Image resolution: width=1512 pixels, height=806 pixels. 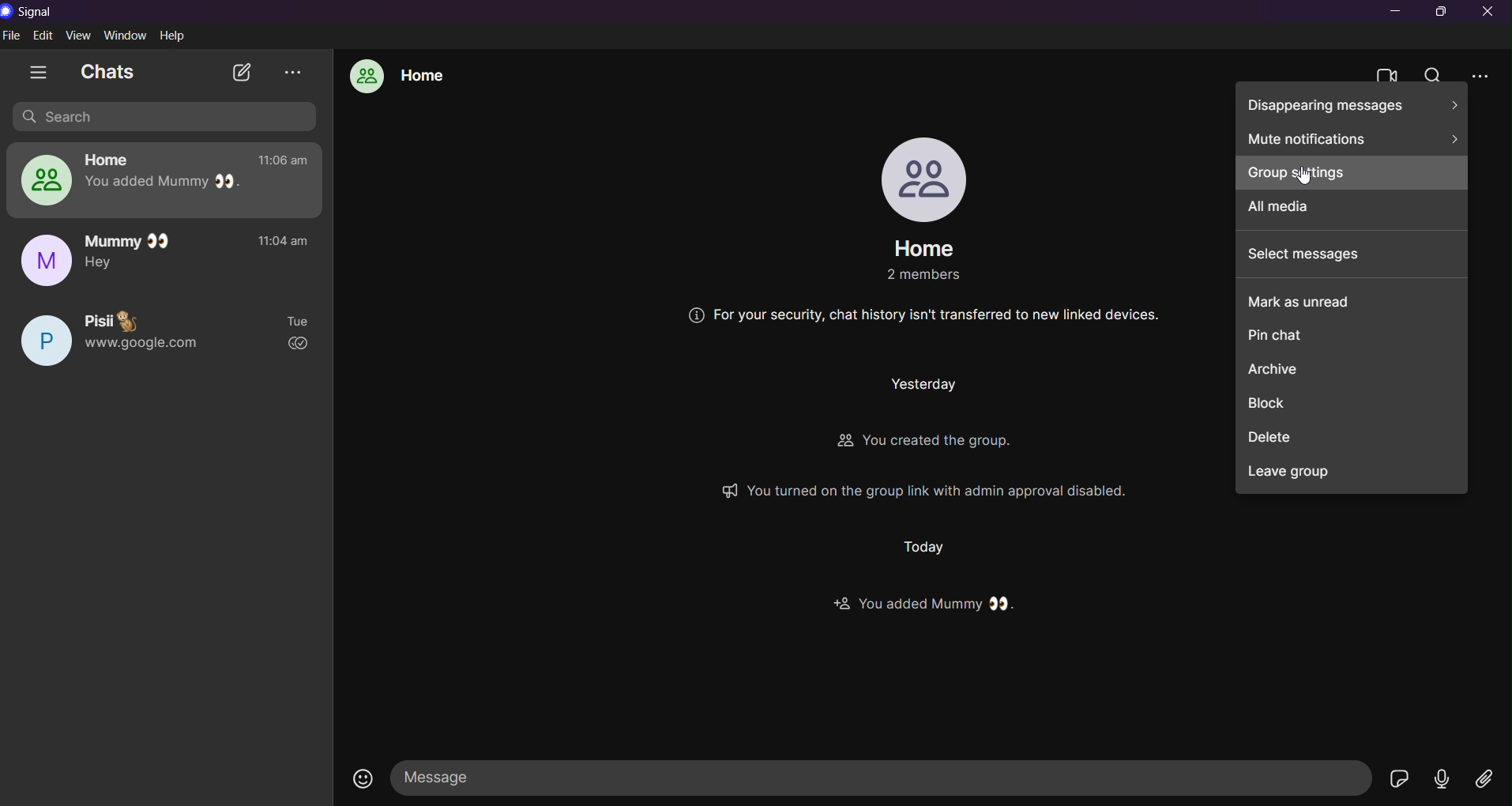 What do you see at coordinates (1490, 13) in the screenshot?
I see `close` at bounding box center [1490, 13].